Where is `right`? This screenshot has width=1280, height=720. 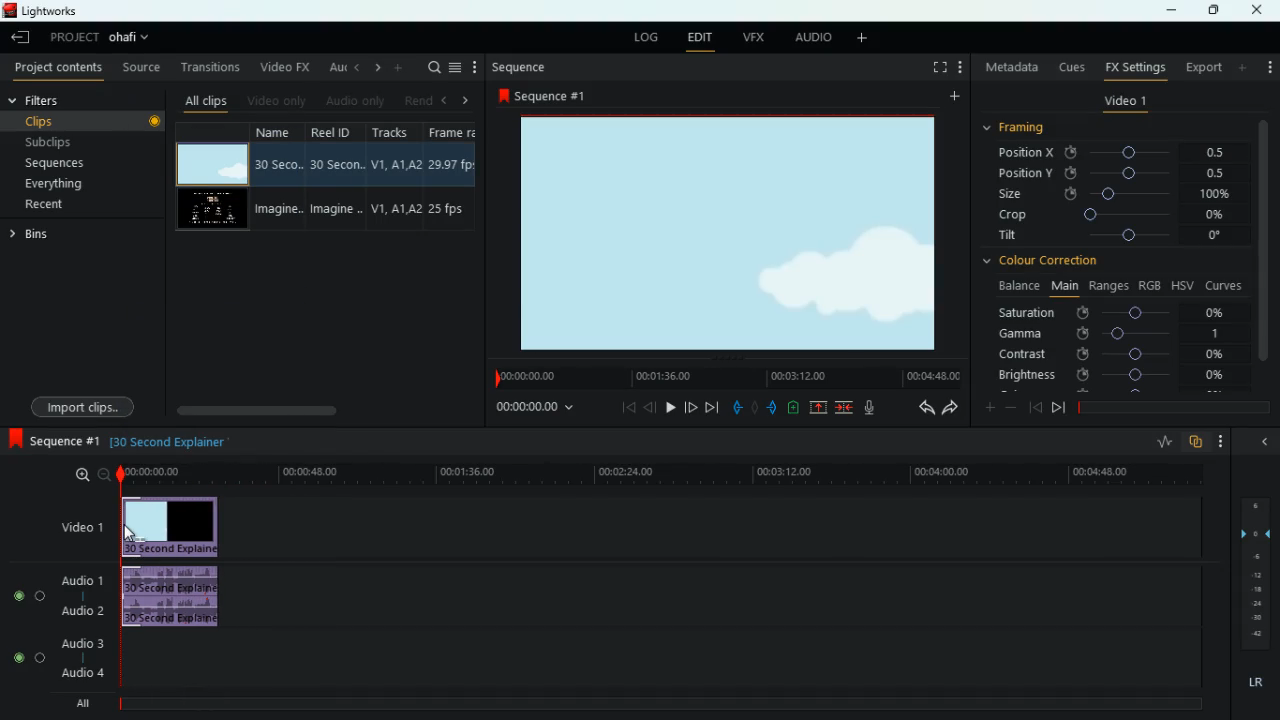 right is located at coordinates (460, 101).